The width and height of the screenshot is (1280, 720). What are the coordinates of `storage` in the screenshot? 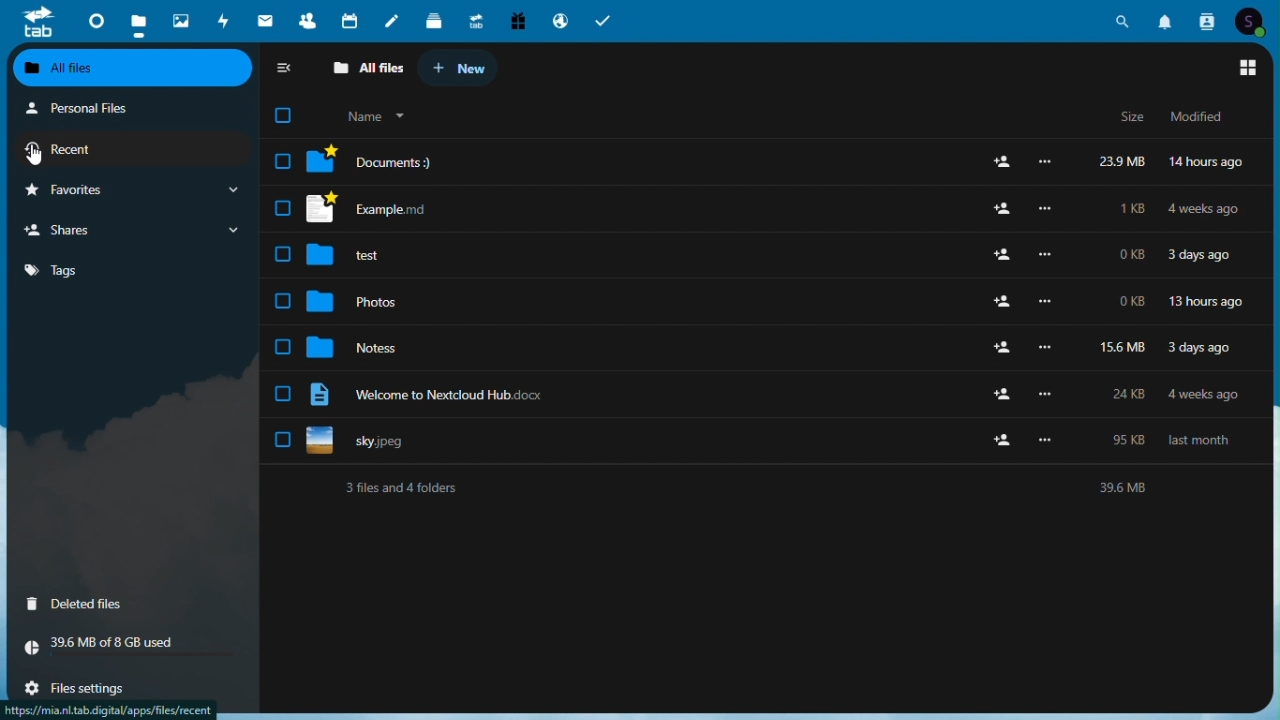 It's located at (131, 650).